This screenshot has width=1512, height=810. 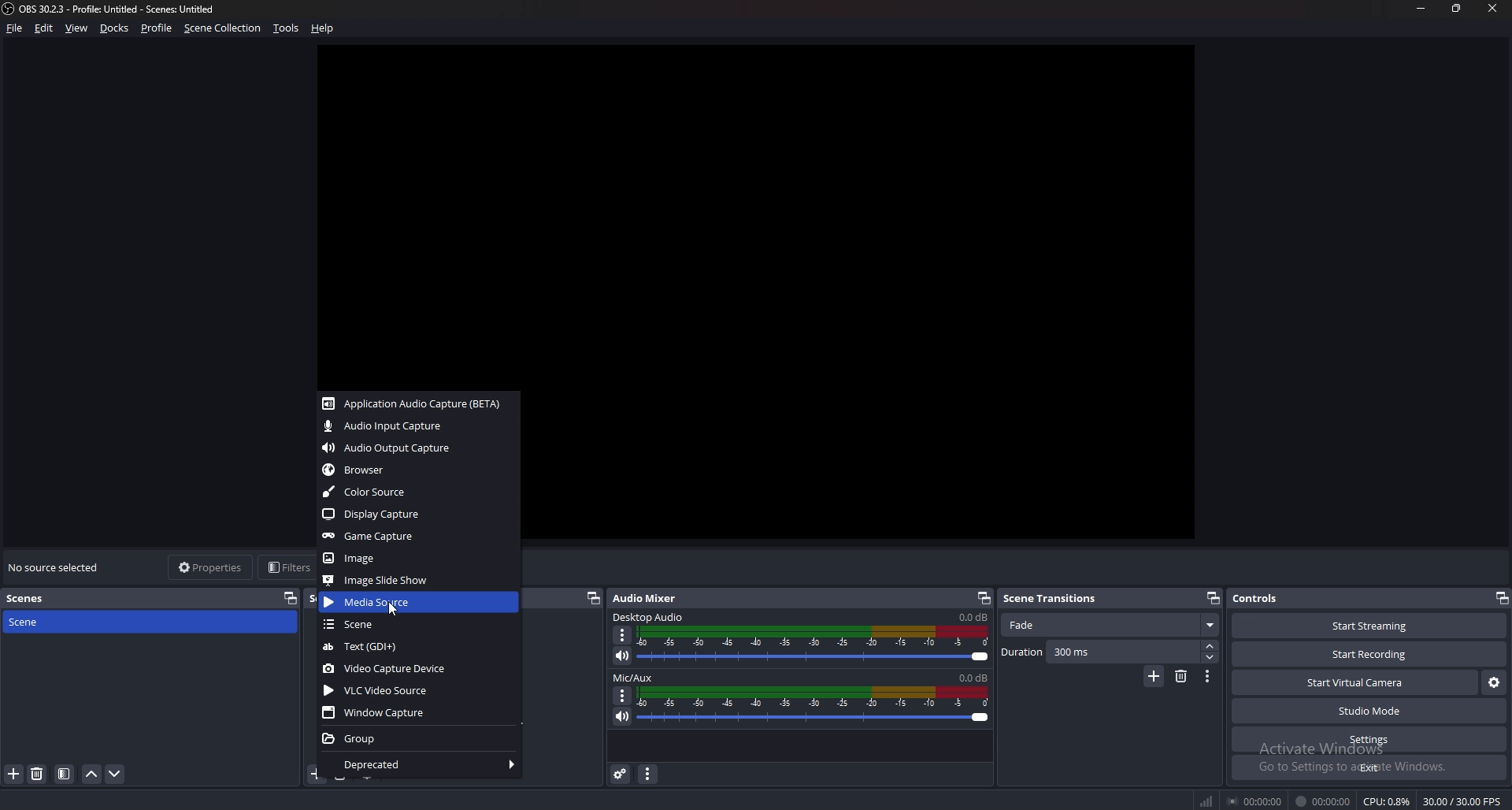 I want to click on  Exit, so click(x=1370, y=767).